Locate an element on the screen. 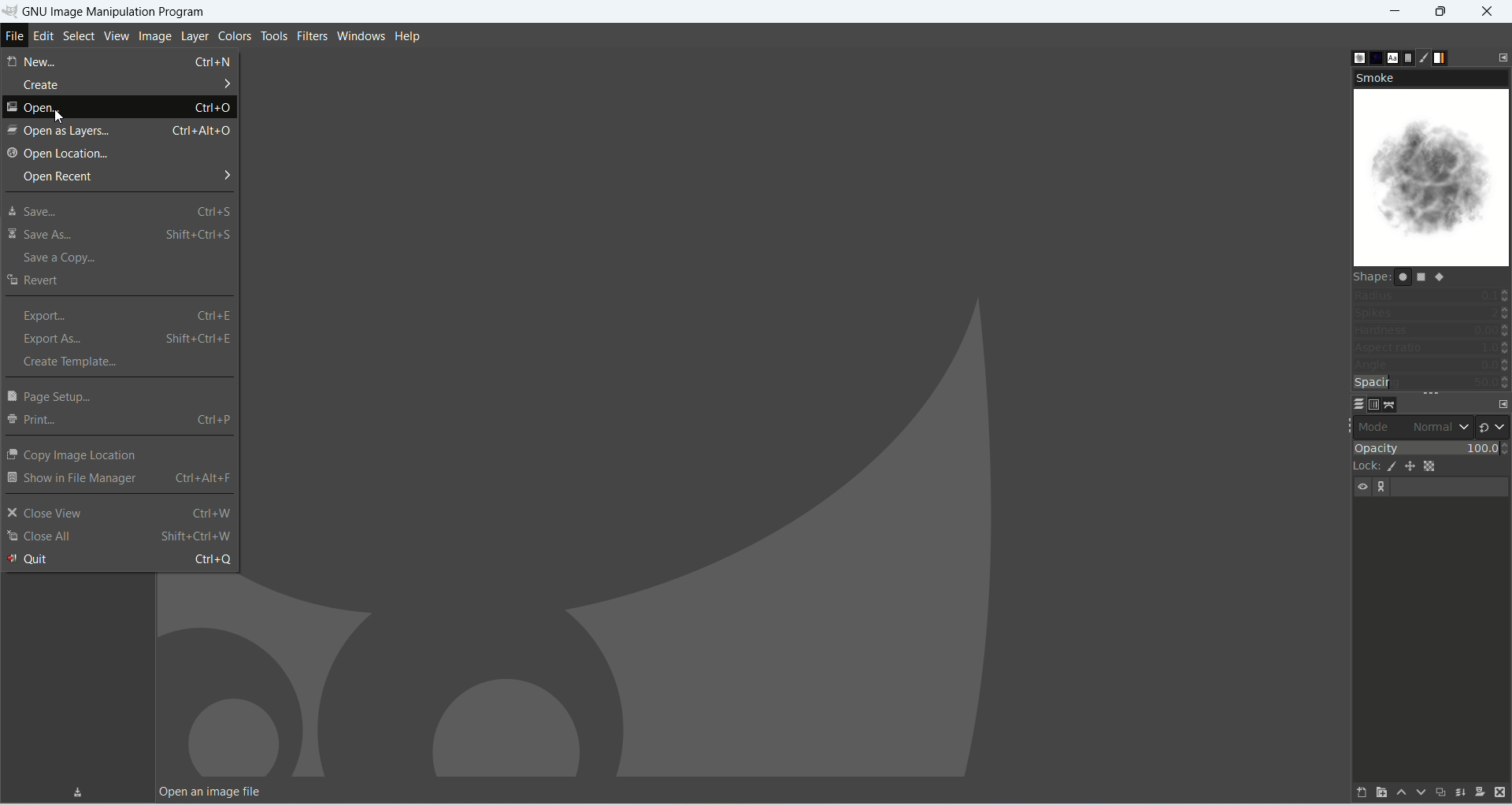 The width and height of the screenshot is (1512, 805). create a new layer is located at coordinates (1380, 793).